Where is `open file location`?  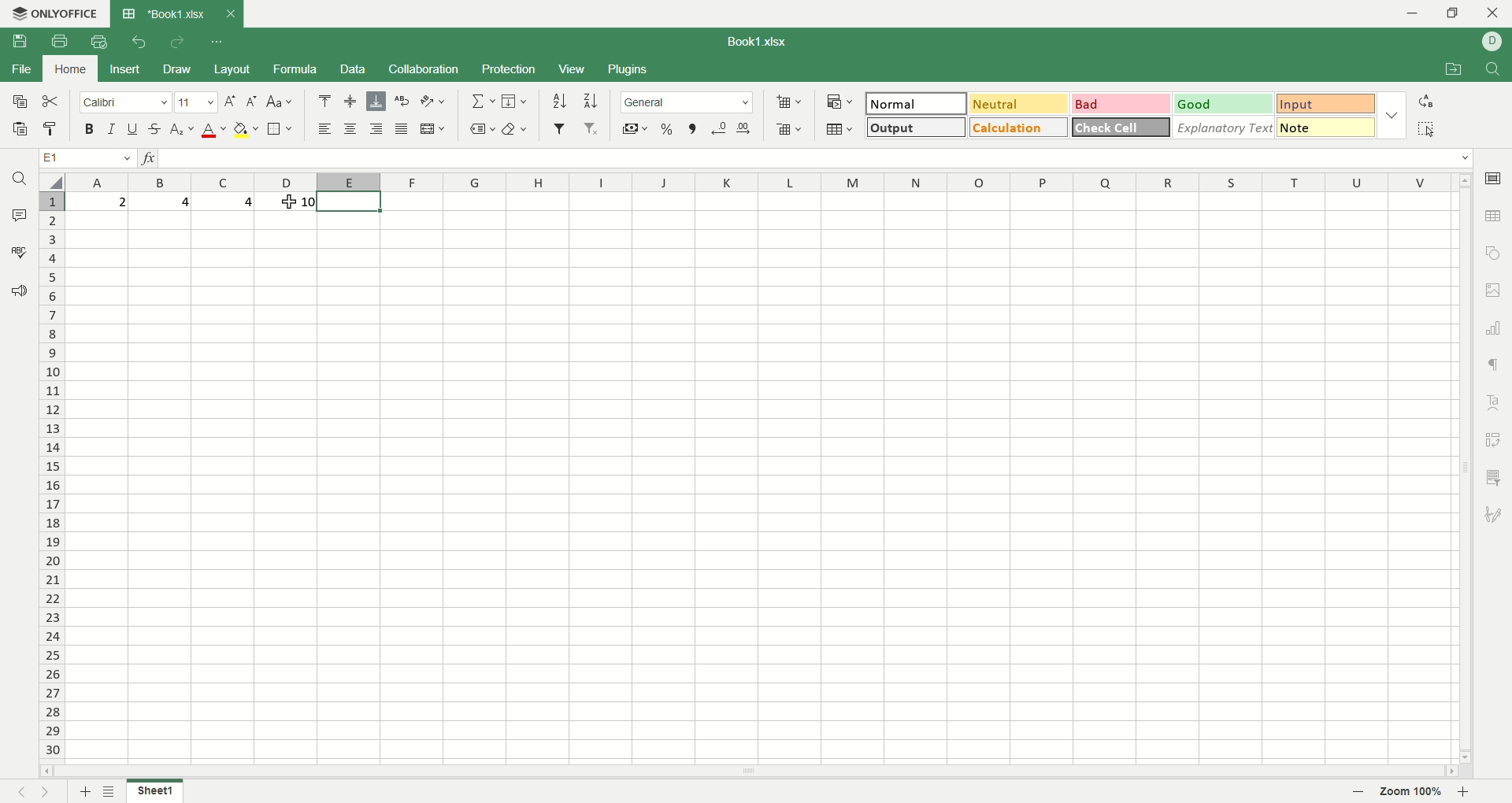 open file location is located at coordinates (1451, 71).